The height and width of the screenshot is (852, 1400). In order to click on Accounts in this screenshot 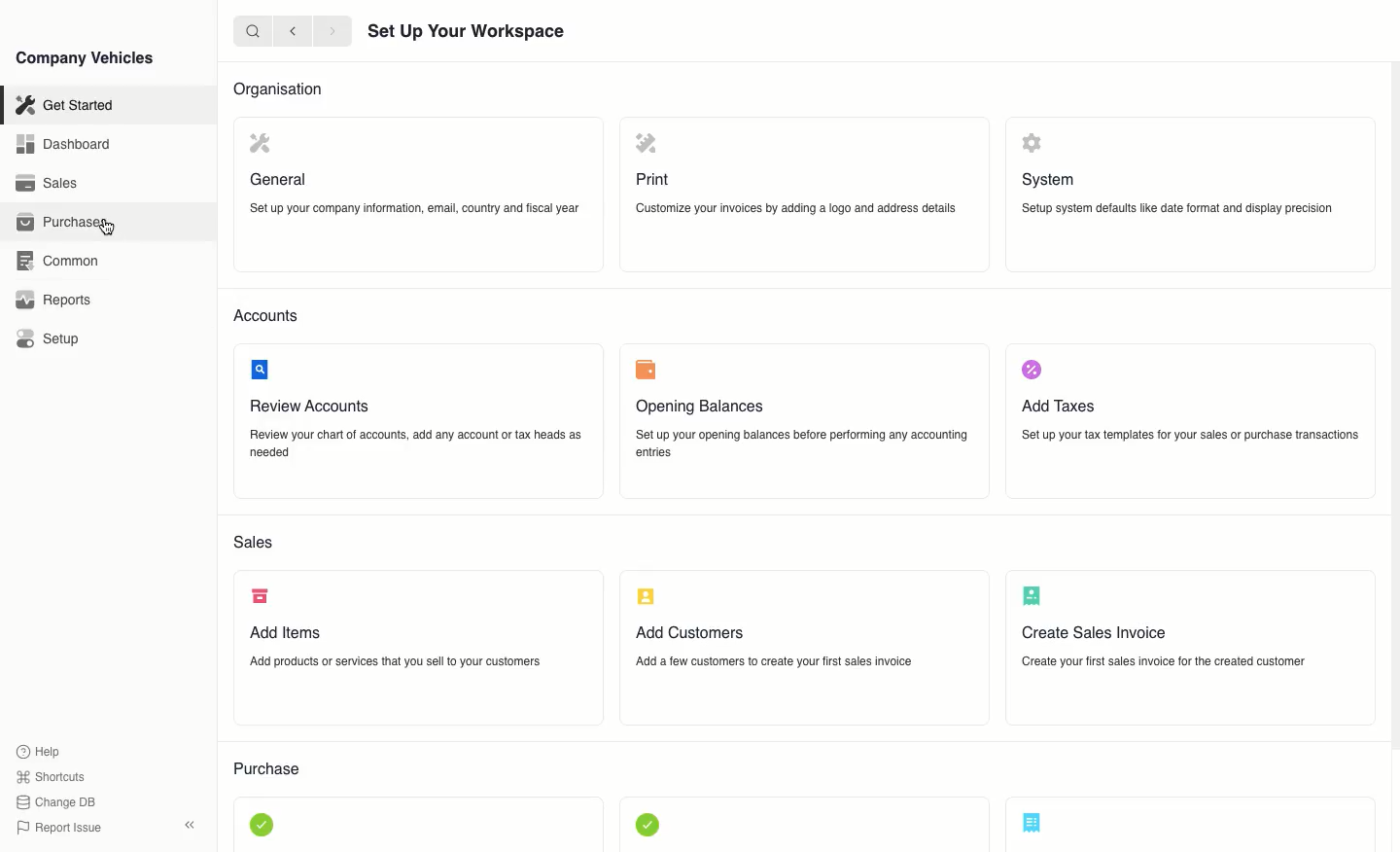, I will do `click(266, 314)`.